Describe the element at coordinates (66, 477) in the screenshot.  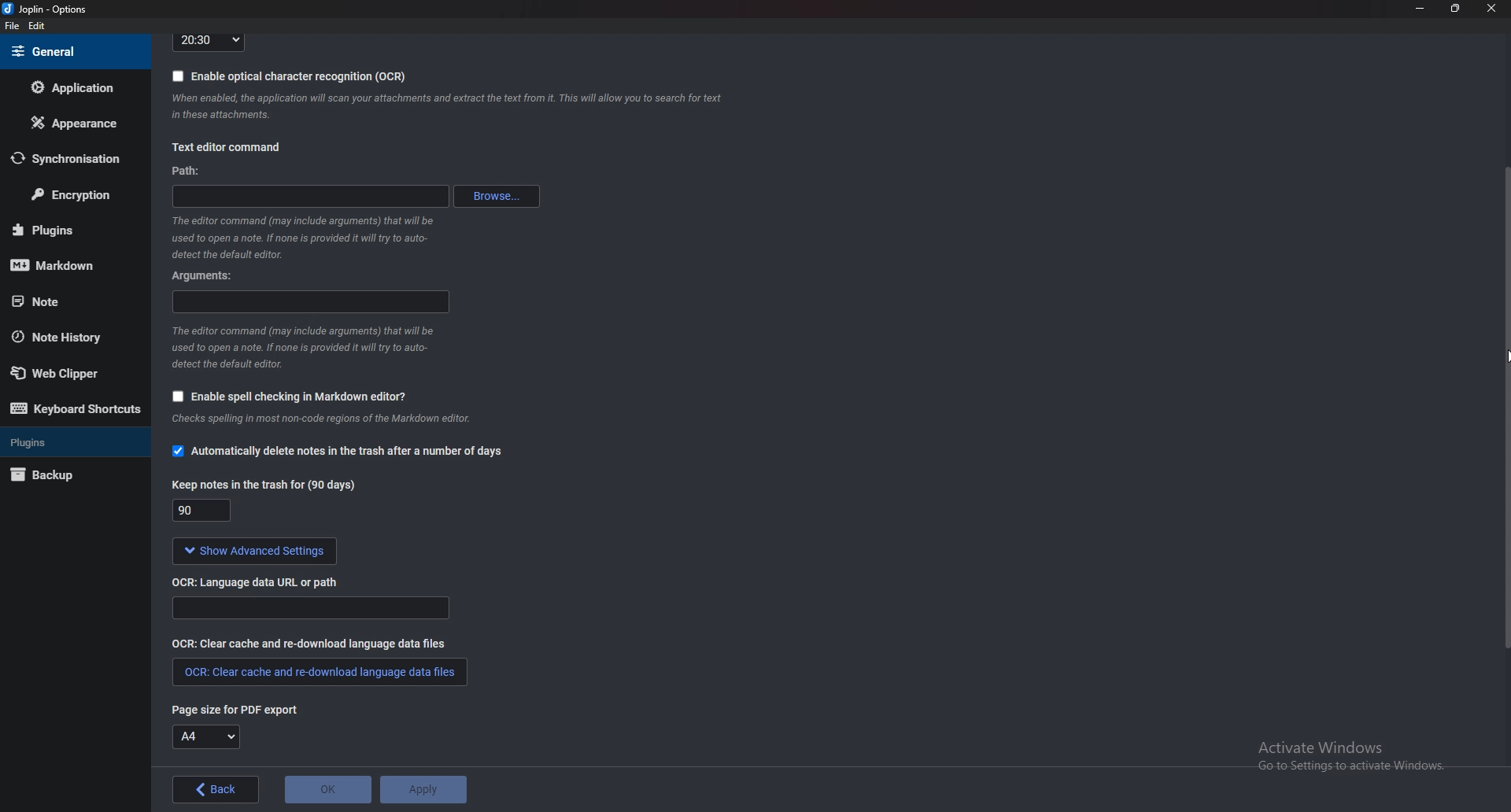
I see `Back up` at that location.